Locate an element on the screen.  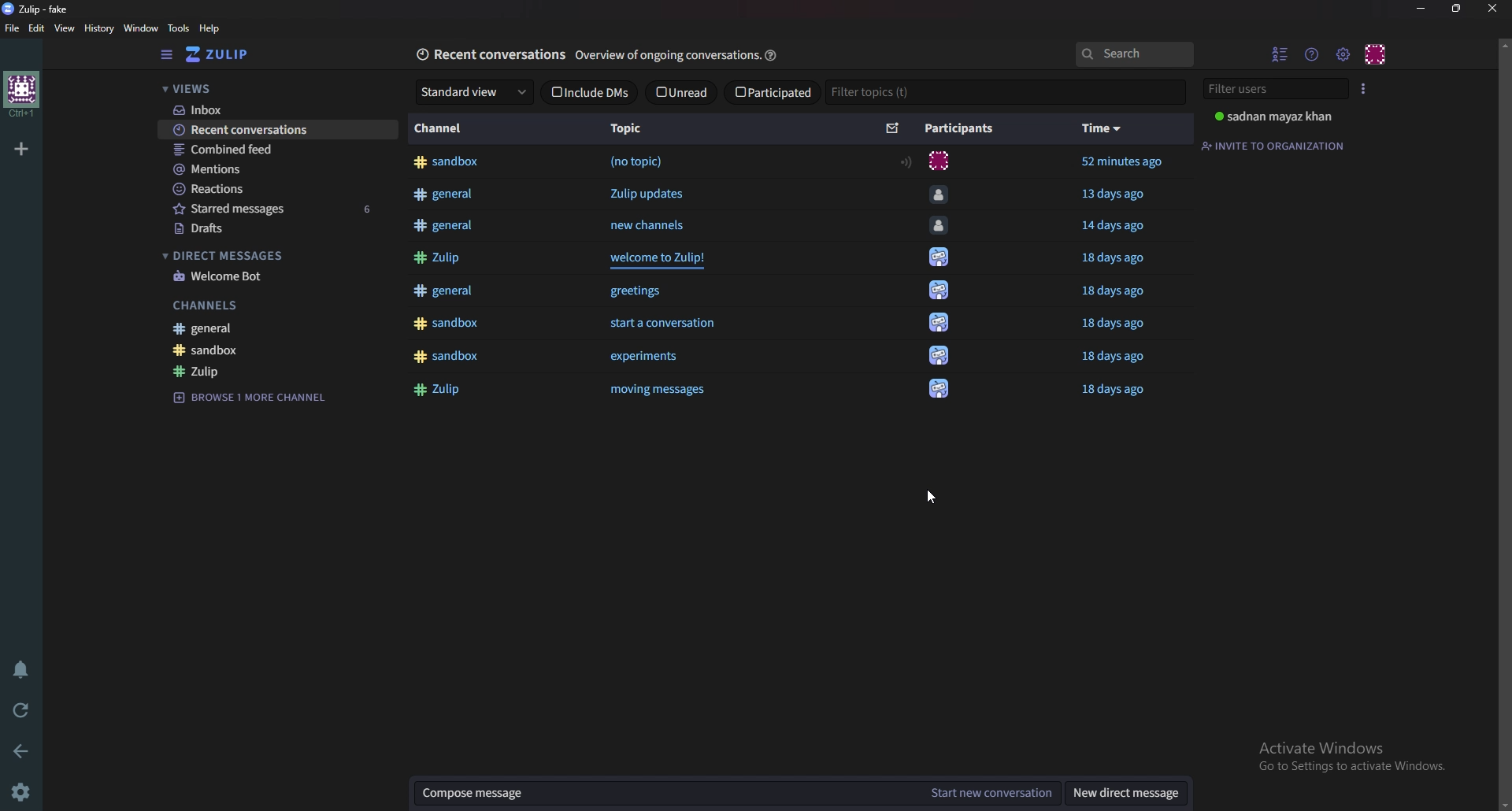
sadnan mayaz khan is located at coordinates (1273, 120).